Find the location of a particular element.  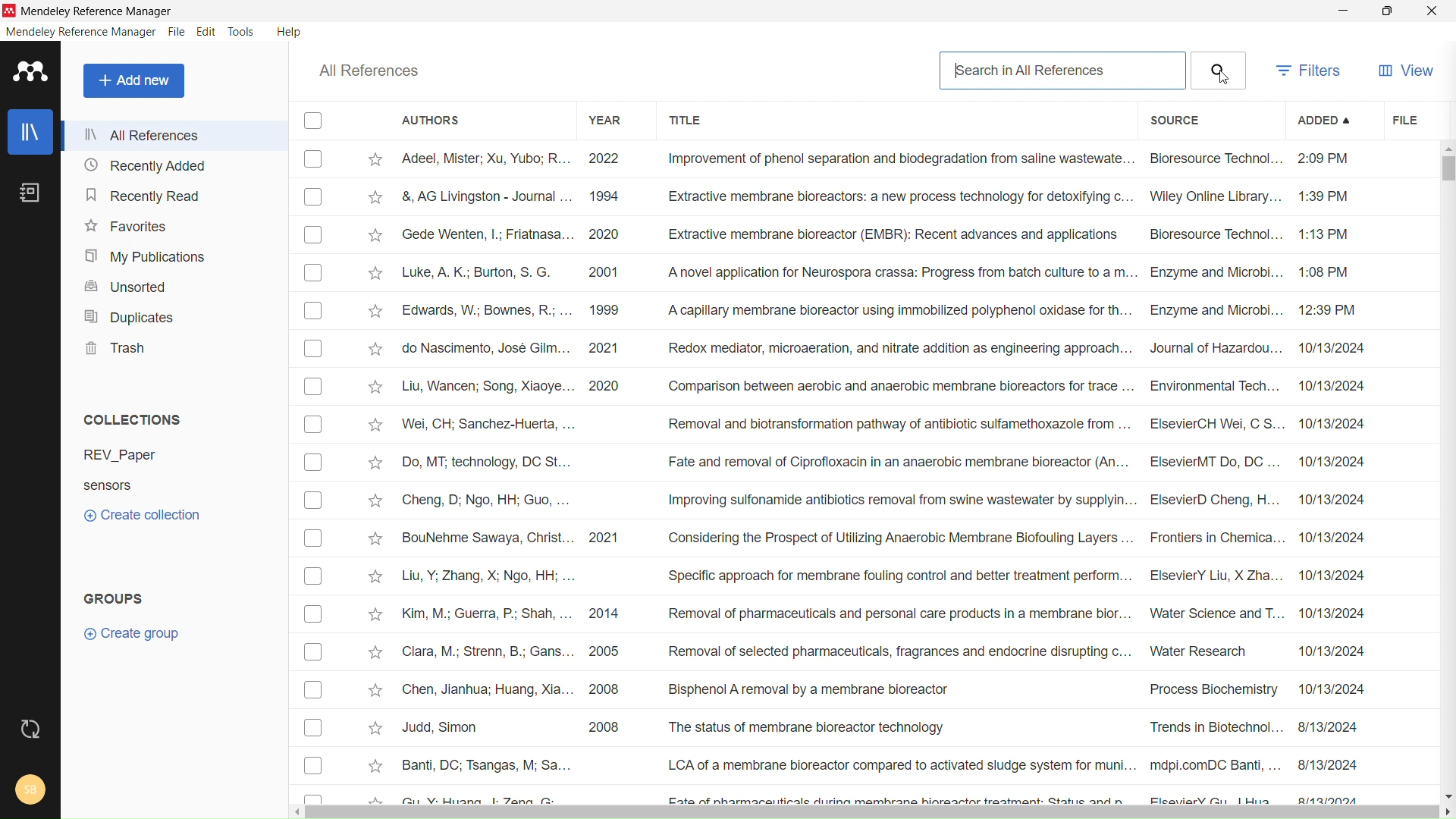

Add to favourites is located at coordinates (375, 767).